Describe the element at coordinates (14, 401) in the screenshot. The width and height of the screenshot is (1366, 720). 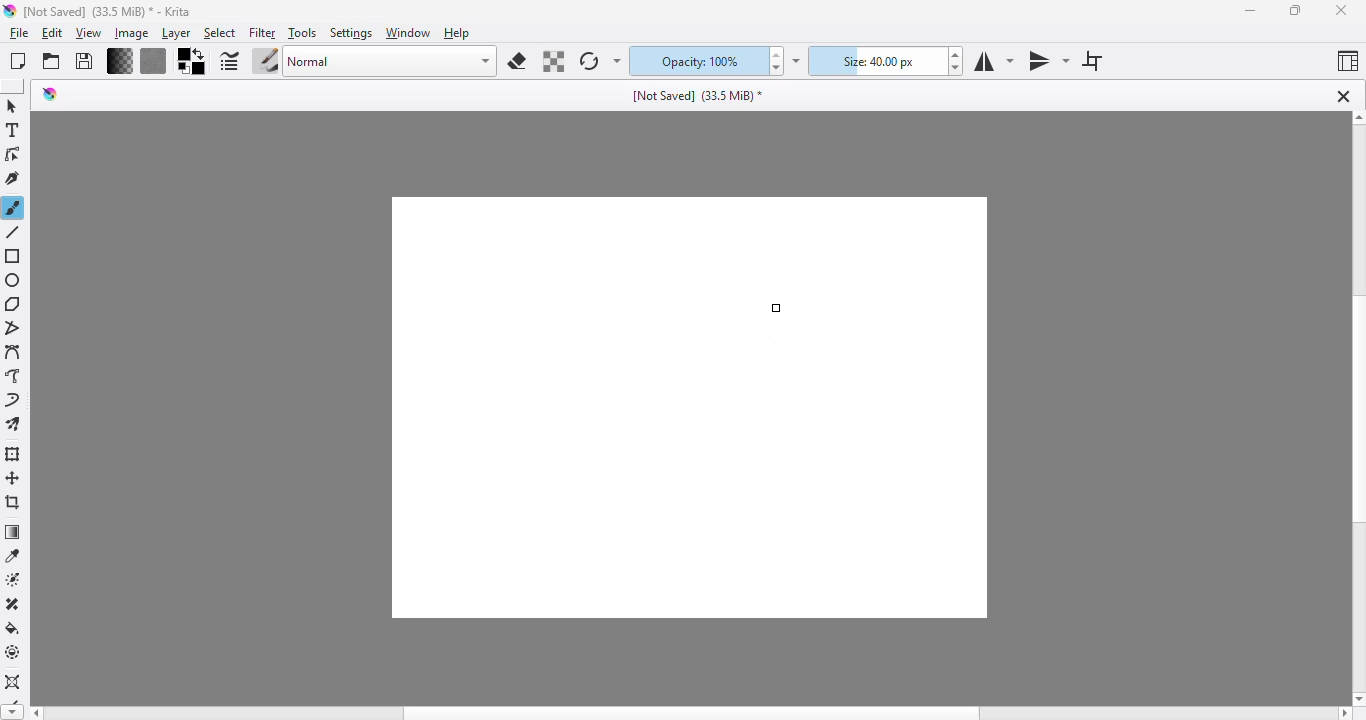
I see `dynamic brush tool` at that location.